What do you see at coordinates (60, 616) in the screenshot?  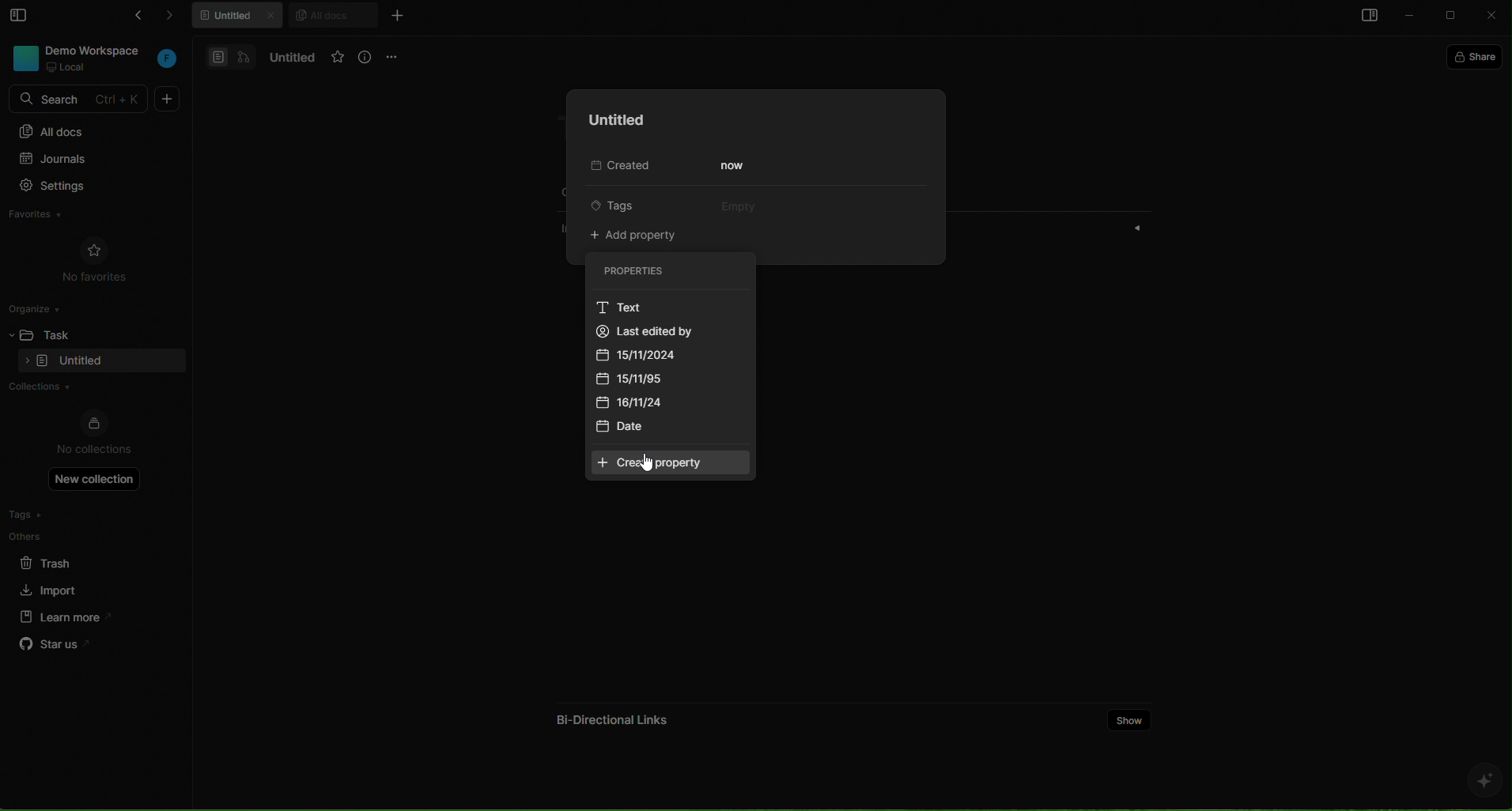 I see `learn more ` at bounding box center [60, 616].